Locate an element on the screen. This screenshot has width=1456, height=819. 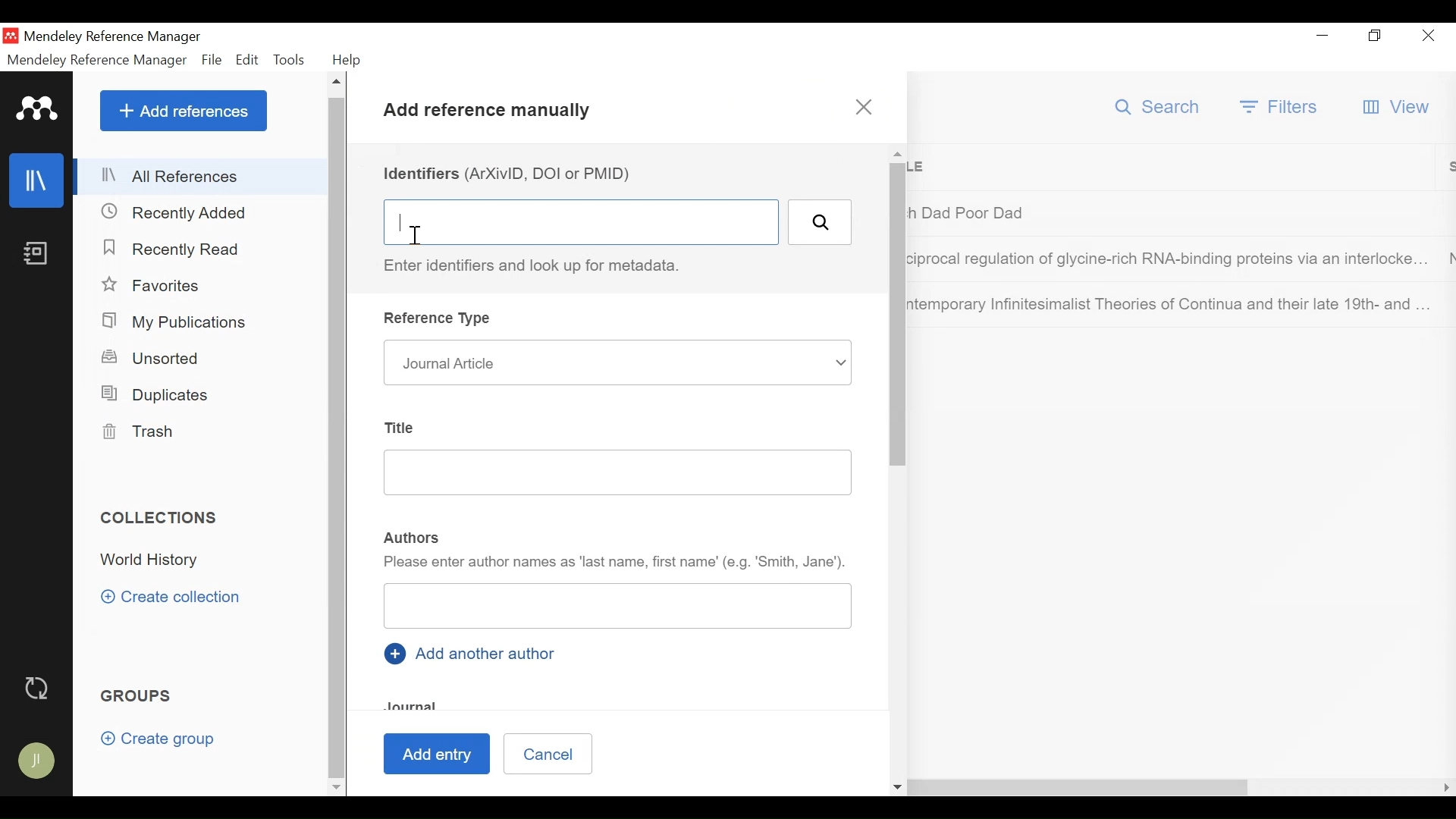
Authors Field is located at coordinates (620, 605).